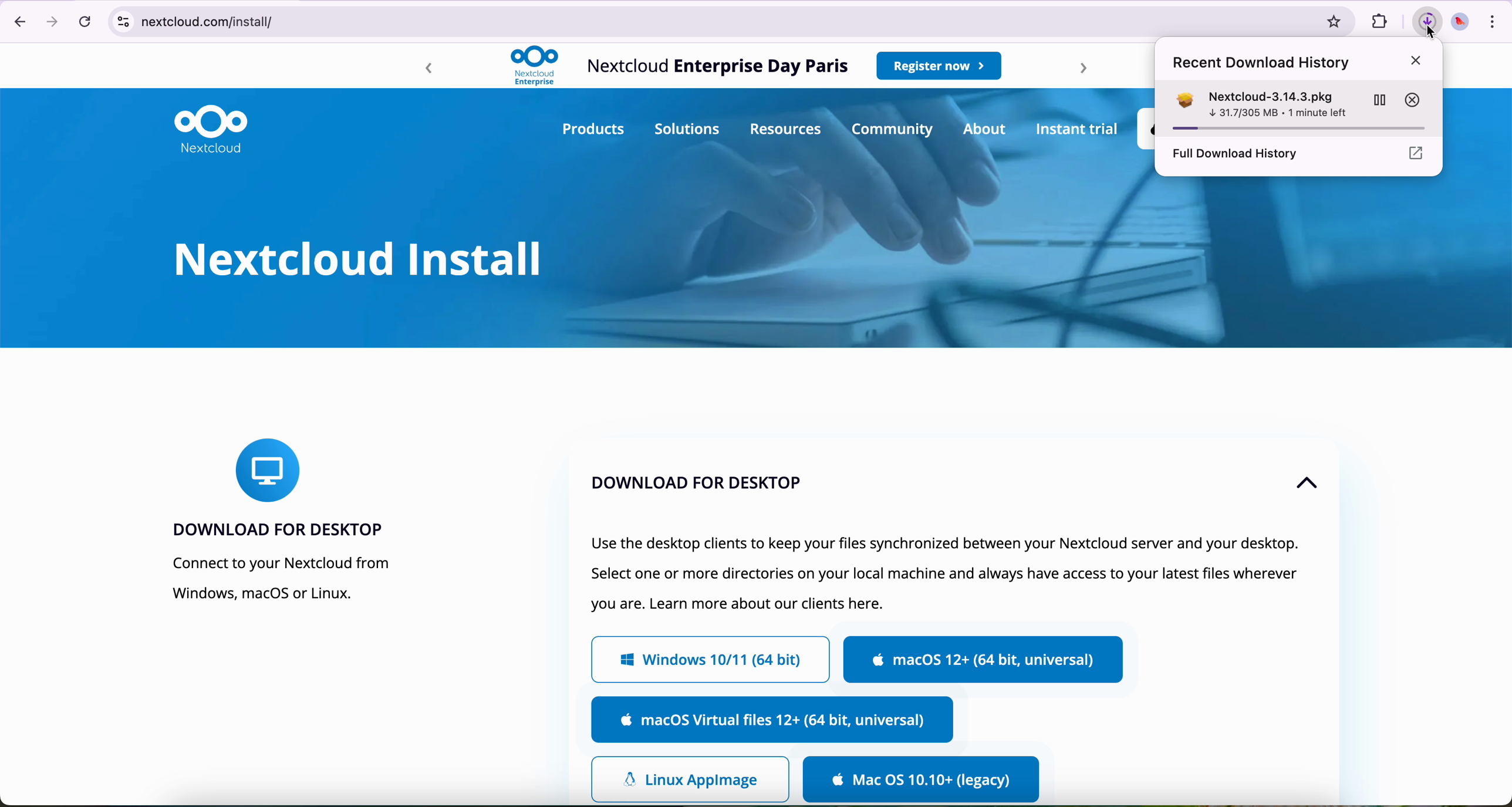  Describe the element at coordinates (1427, 19) in the screenshot. I see `cursor` at that location.